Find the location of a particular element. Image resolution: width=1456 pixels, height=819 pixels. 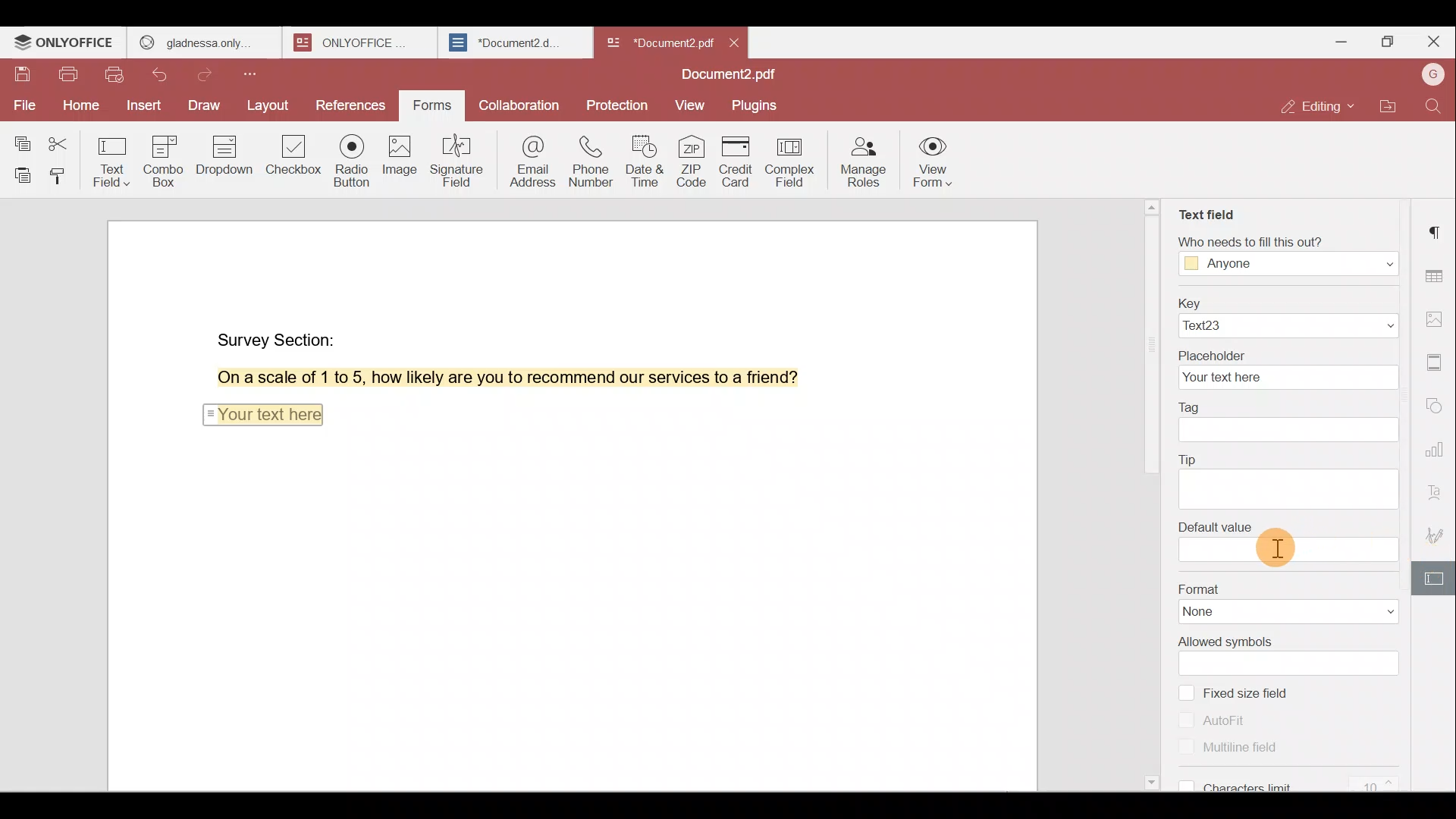

Tag is located at coordinates (1291, 423).